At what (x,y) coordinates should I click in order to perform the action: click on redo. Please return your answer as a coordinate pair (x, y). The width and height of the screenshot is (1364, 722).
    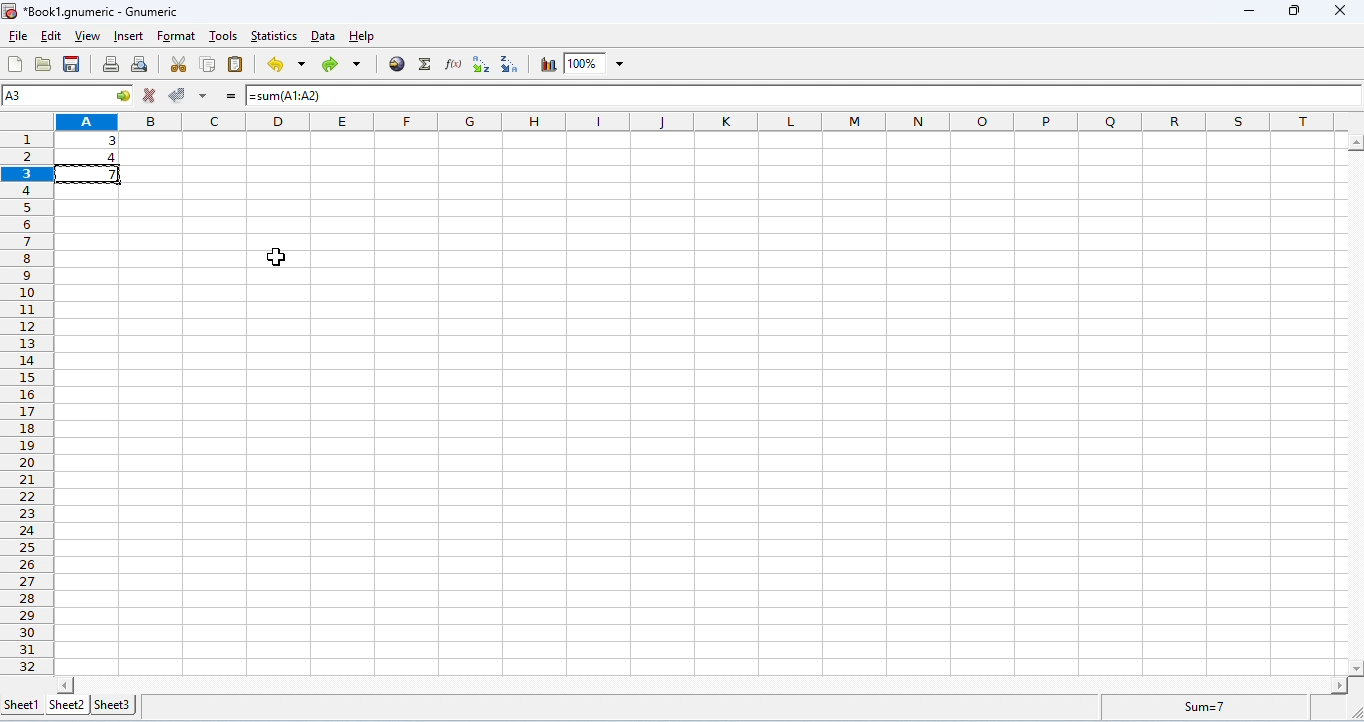
    Looking at the image, I should click on (338, 65).